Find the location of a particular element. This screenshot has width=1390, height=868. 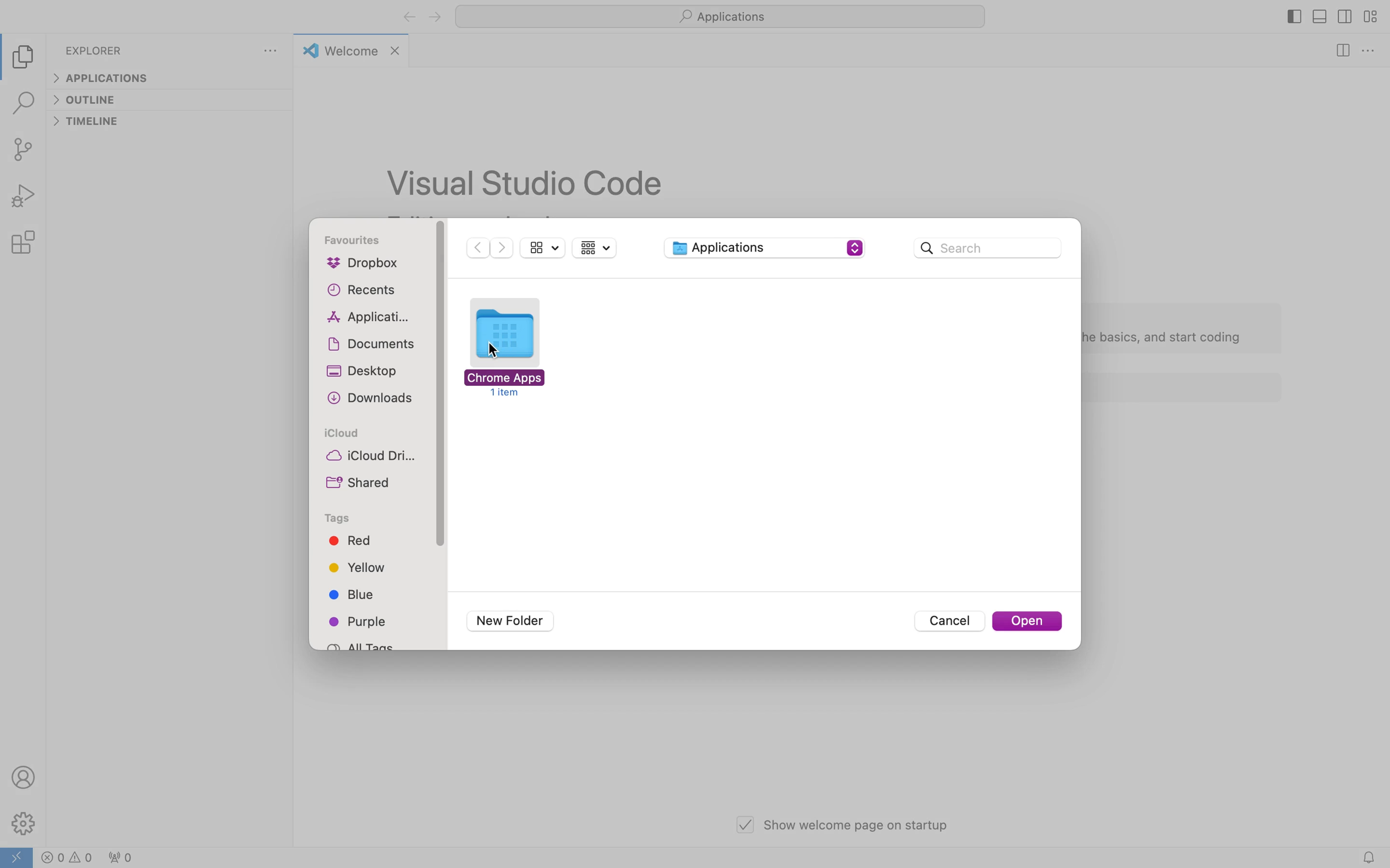

applications is located at coordinates (369, 318).